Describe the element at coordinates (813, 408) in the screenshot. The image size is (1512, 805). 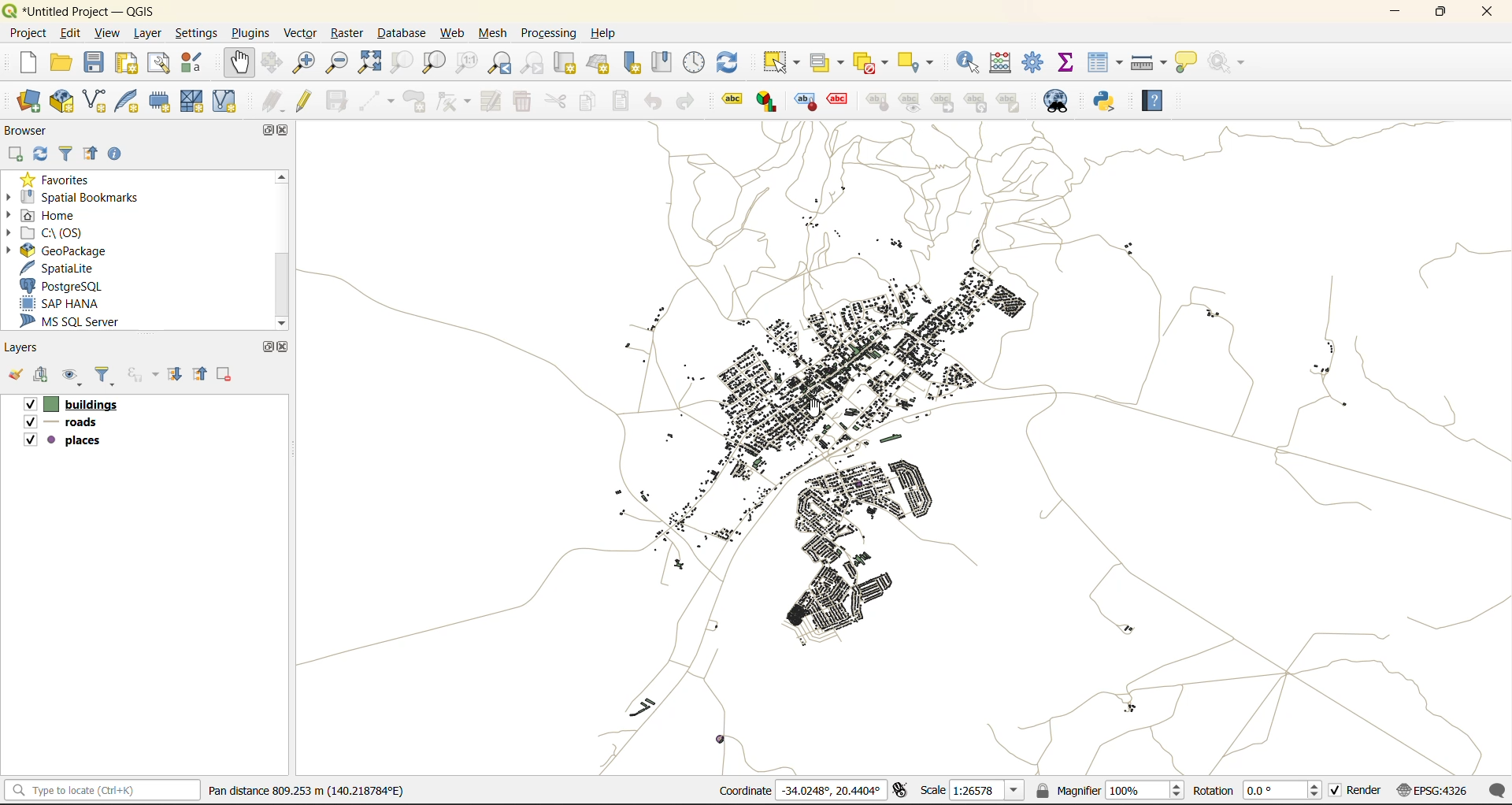
I see `cursor` at that location.